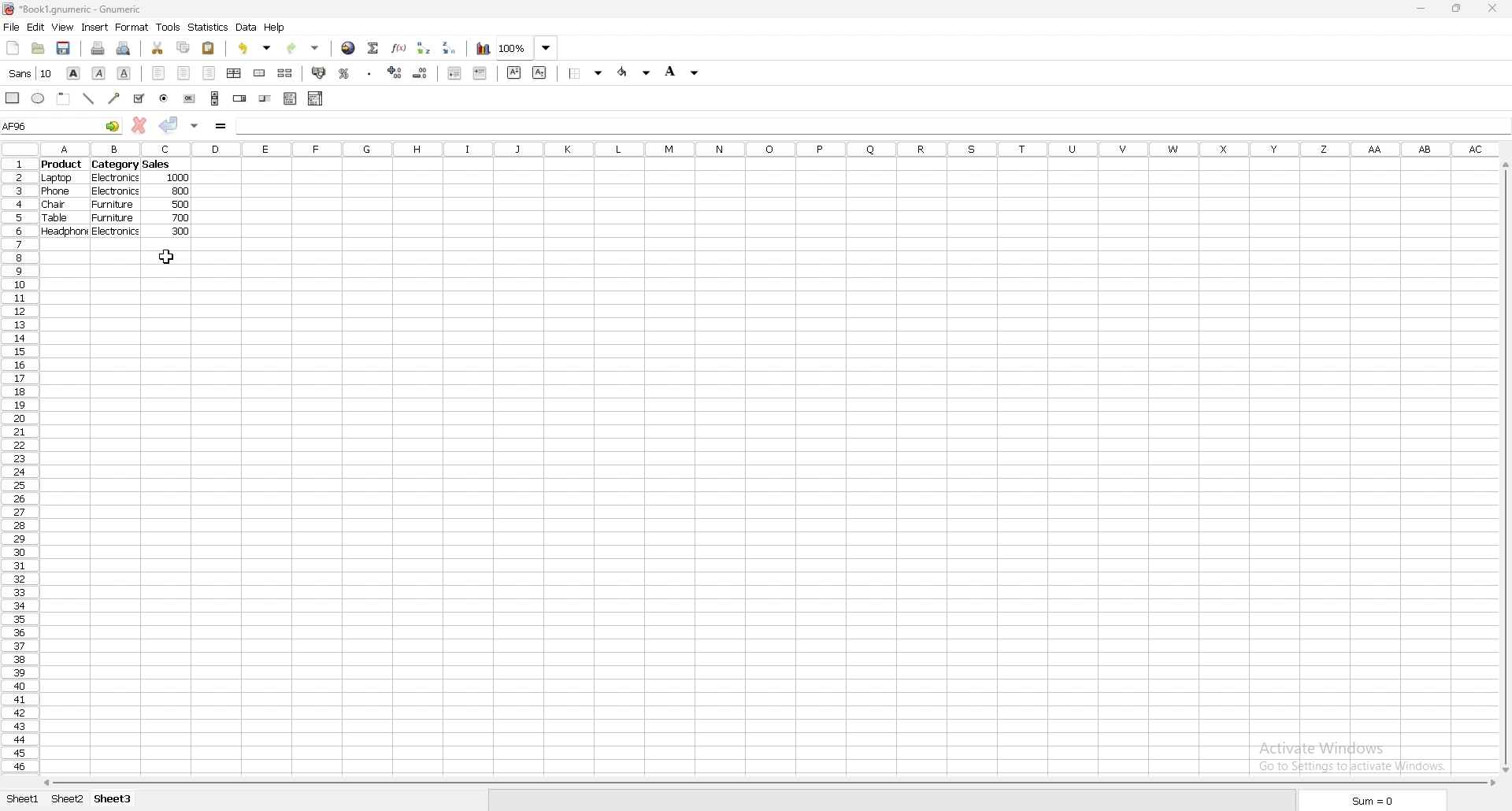 The image size is (1512, 811). What do you see at coordinates (209, 27) in the screenshot?
I see `statistics` at bounding box center [209, 27].